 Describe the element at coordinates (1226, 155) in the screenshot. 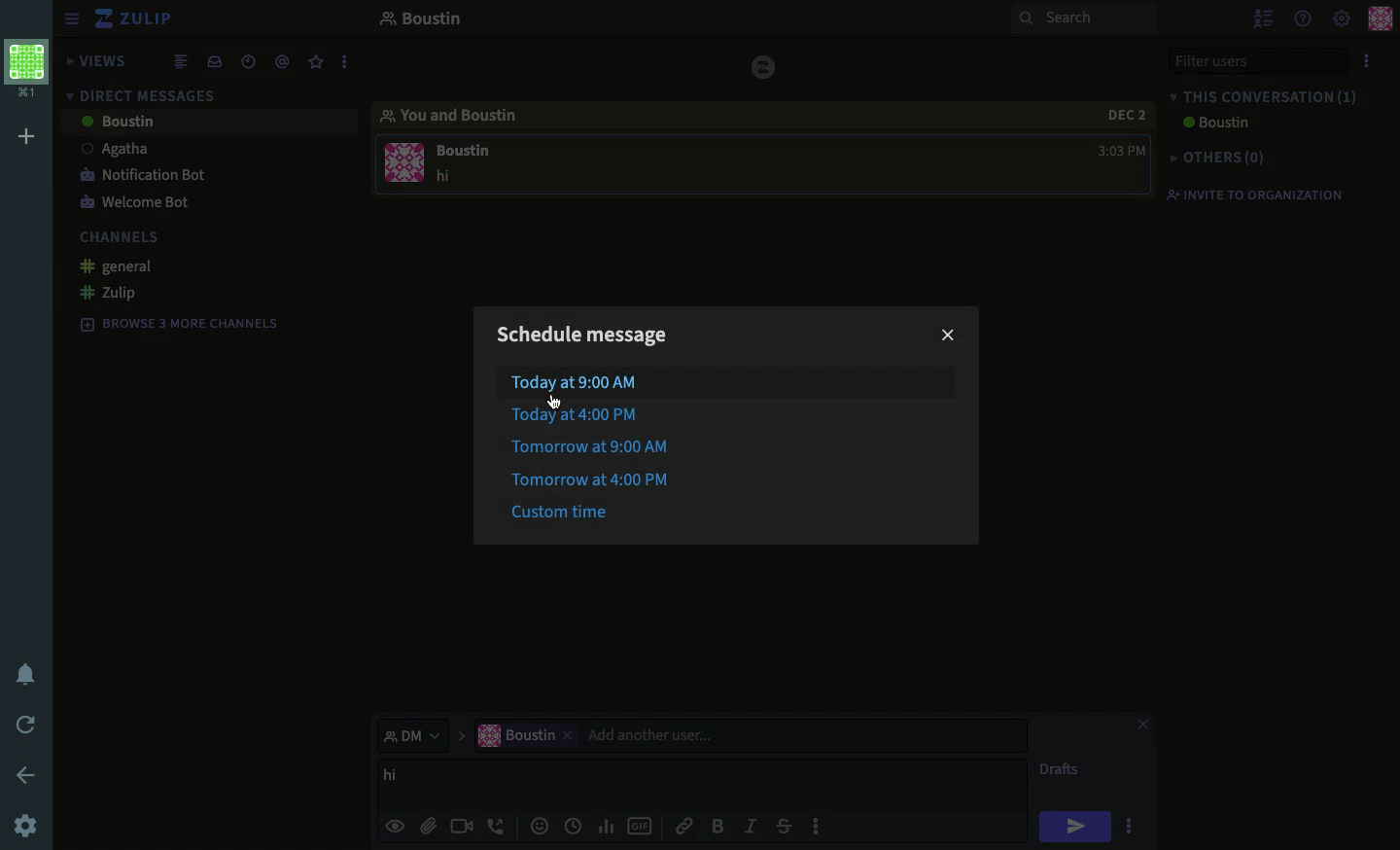

I see `others` at that location.